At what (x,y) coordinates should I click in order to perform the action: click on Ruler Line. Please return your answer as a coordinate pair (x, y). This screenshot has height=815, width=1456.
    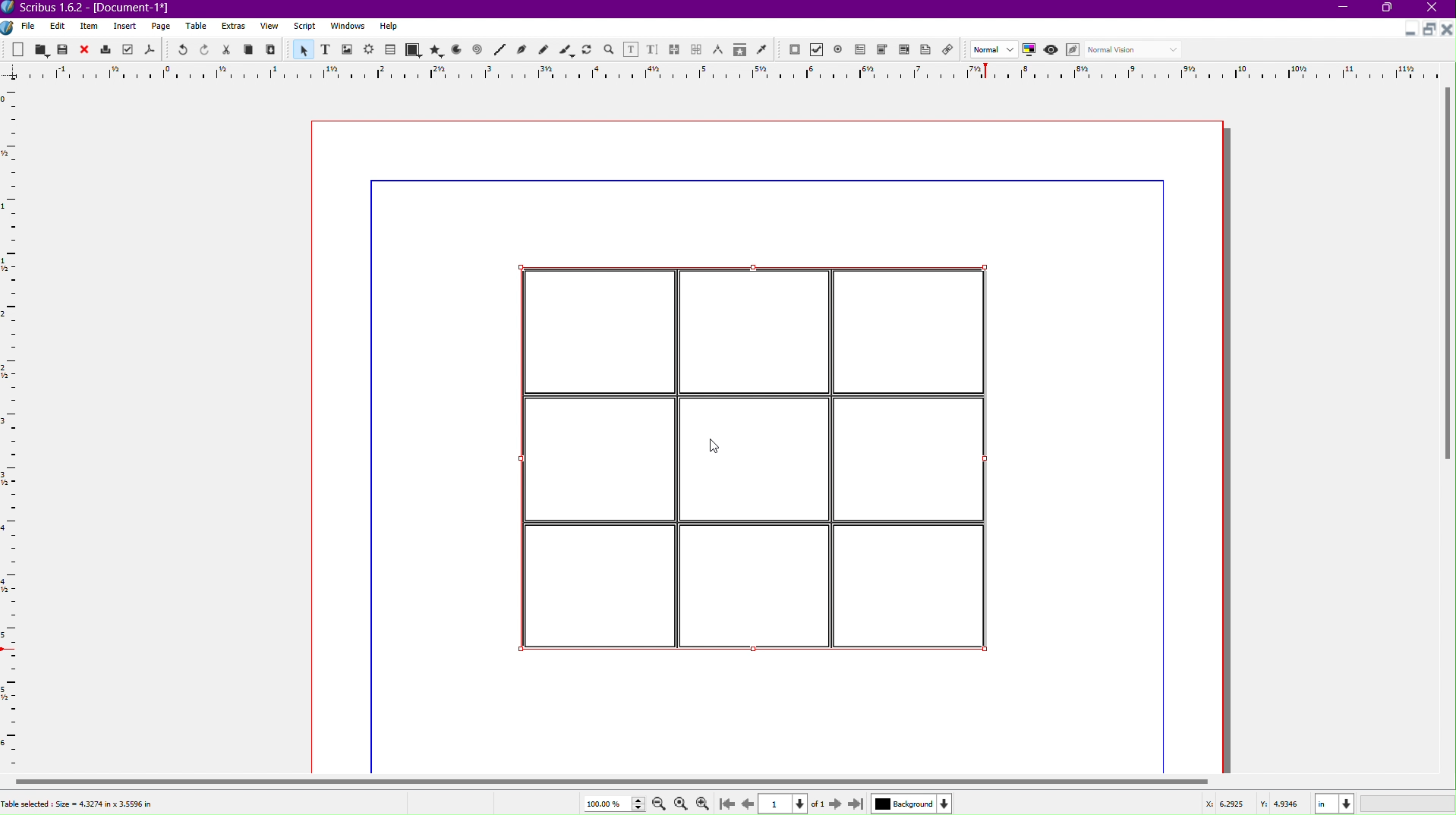
    Looking at the image, I should click on (17, 428).